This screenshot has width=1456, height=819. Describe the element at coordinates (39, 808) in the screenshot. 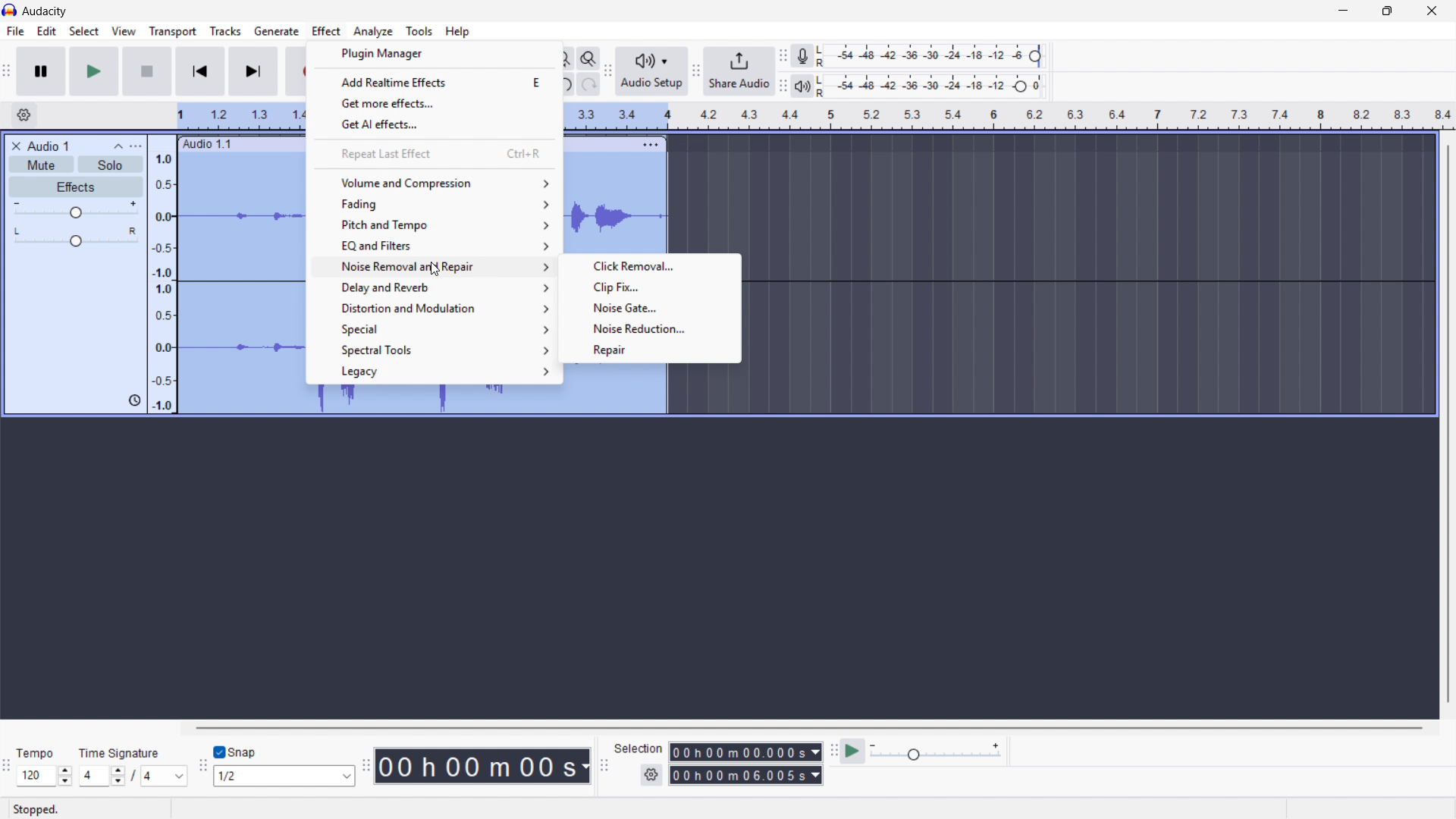

I see `stopped` at that location.